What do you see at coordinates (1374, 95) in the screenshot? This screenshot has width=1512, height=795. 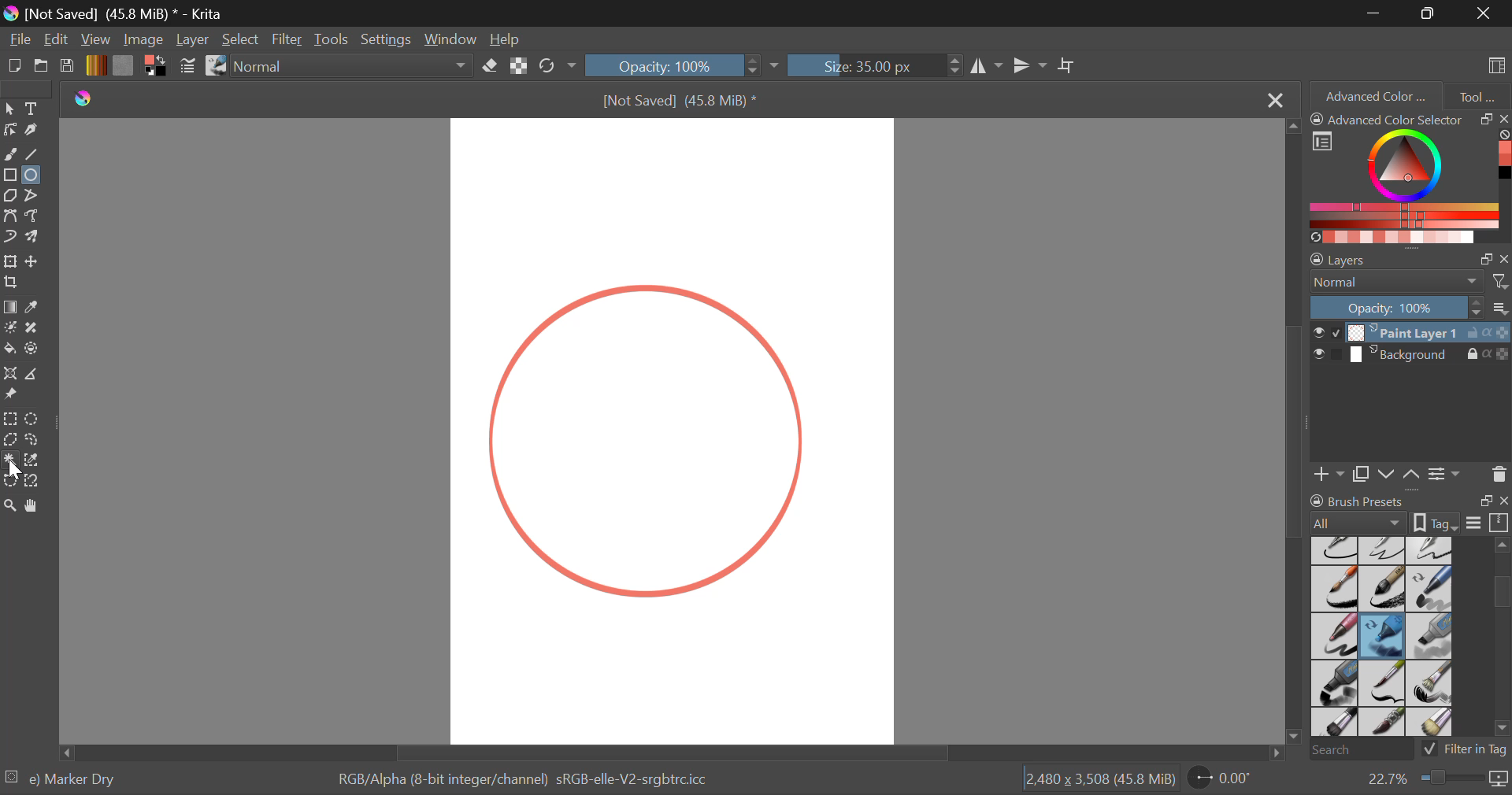 I see `Advanced Color Selector Tab Open` at bounding box center [1374, 95].